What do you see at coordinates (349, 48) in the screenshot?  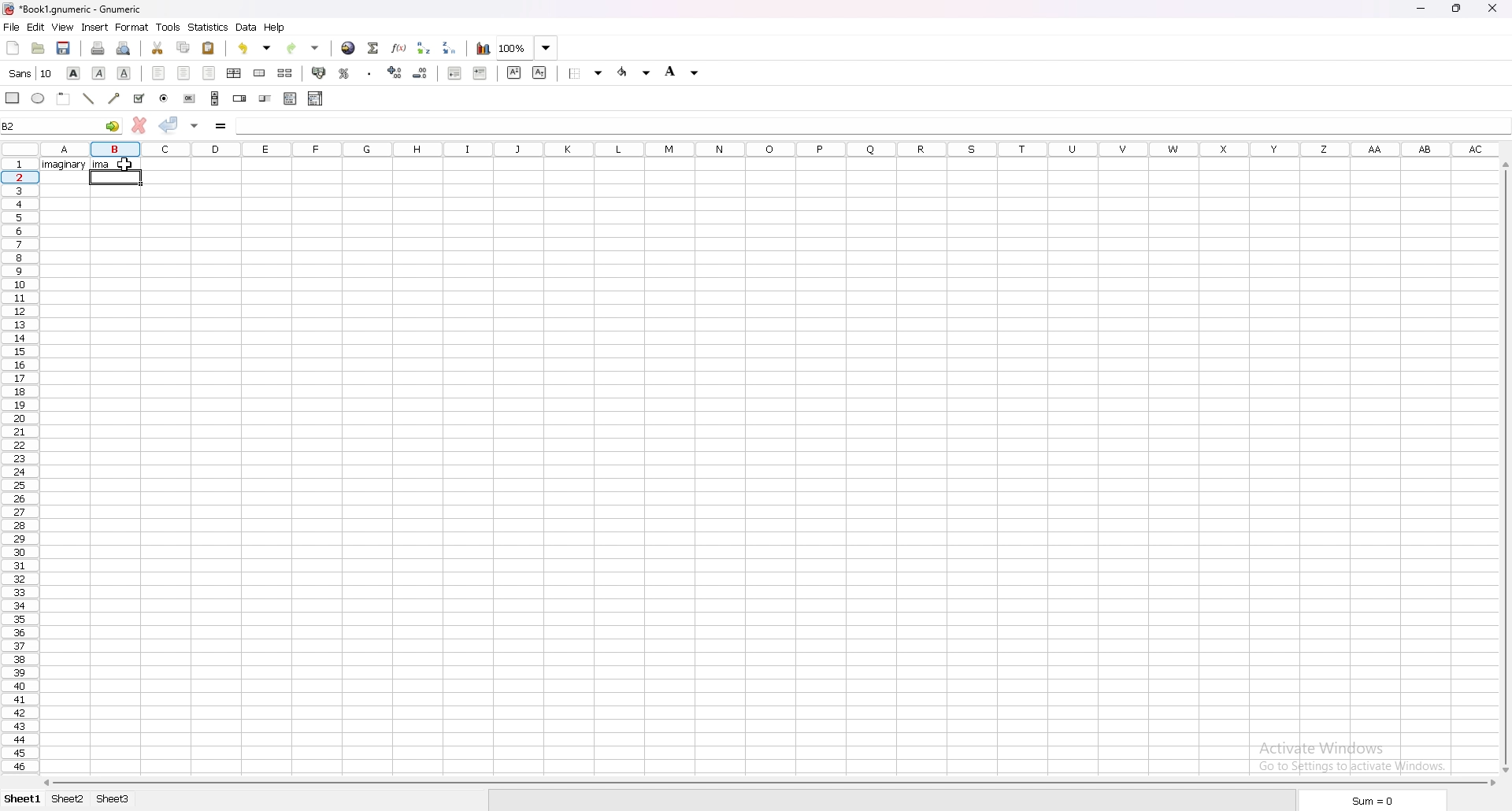 I see `hyperlink` at bounding box center [349, 48].